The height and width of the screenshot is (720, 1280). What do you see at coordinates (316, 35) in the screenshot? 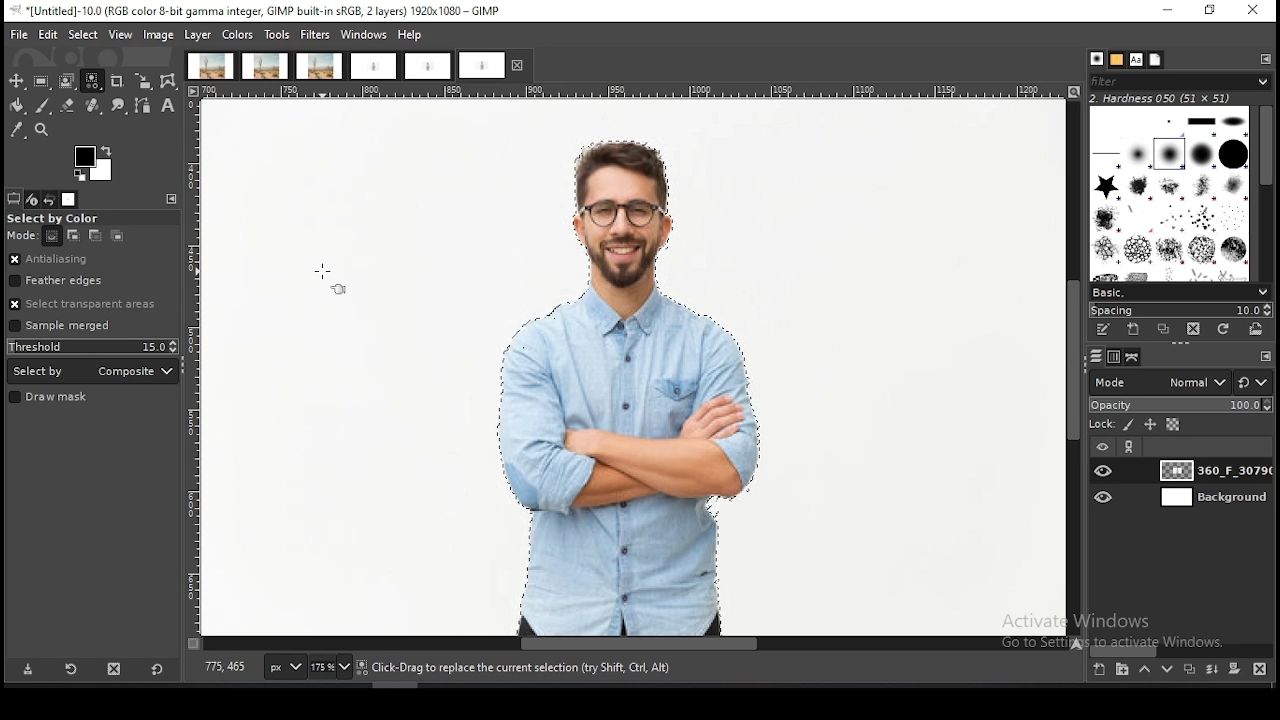
I see `filters` at bounding box center [316, 35].